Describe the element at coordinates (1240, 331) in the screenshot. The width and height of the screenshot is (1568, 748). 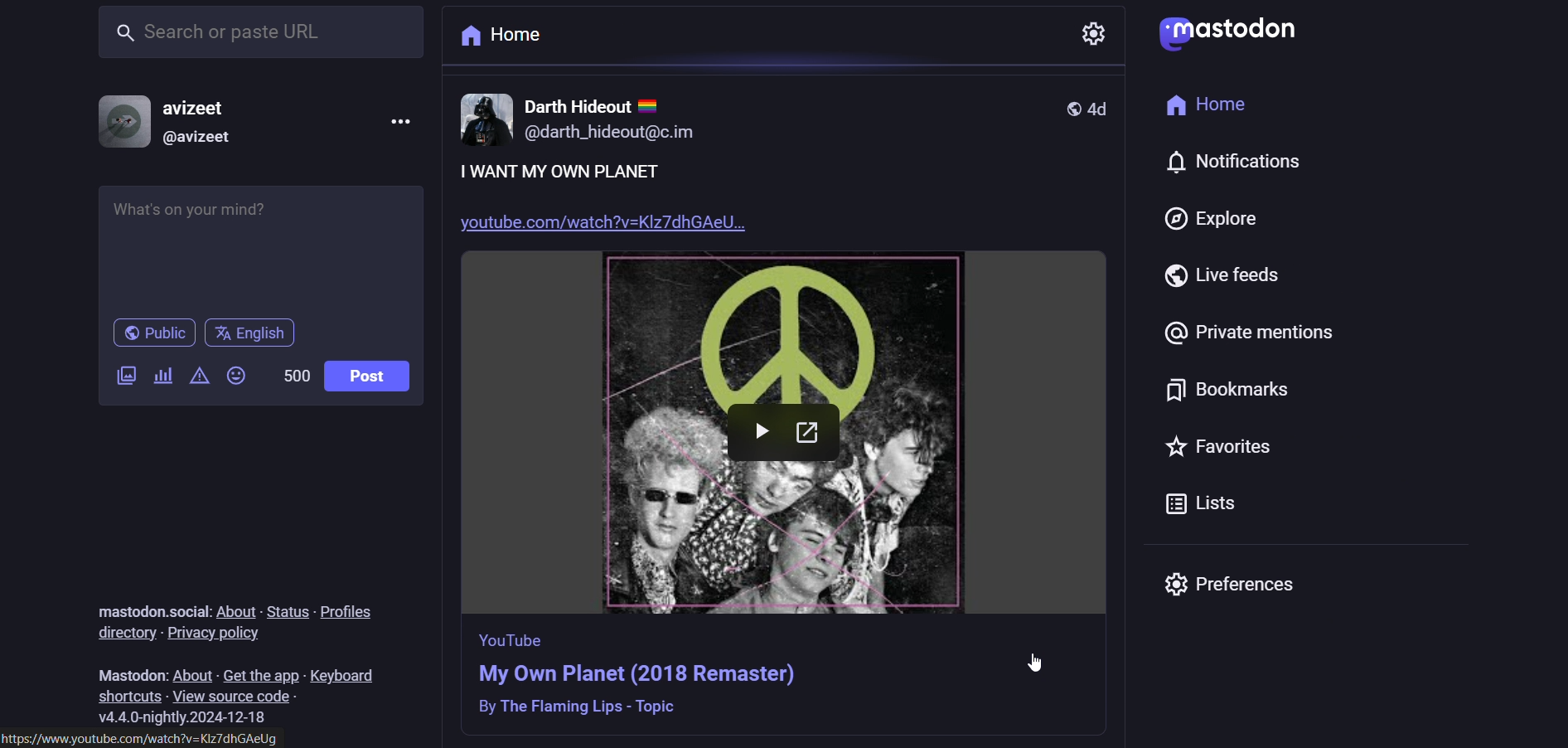
I see `private mentions` at that location.